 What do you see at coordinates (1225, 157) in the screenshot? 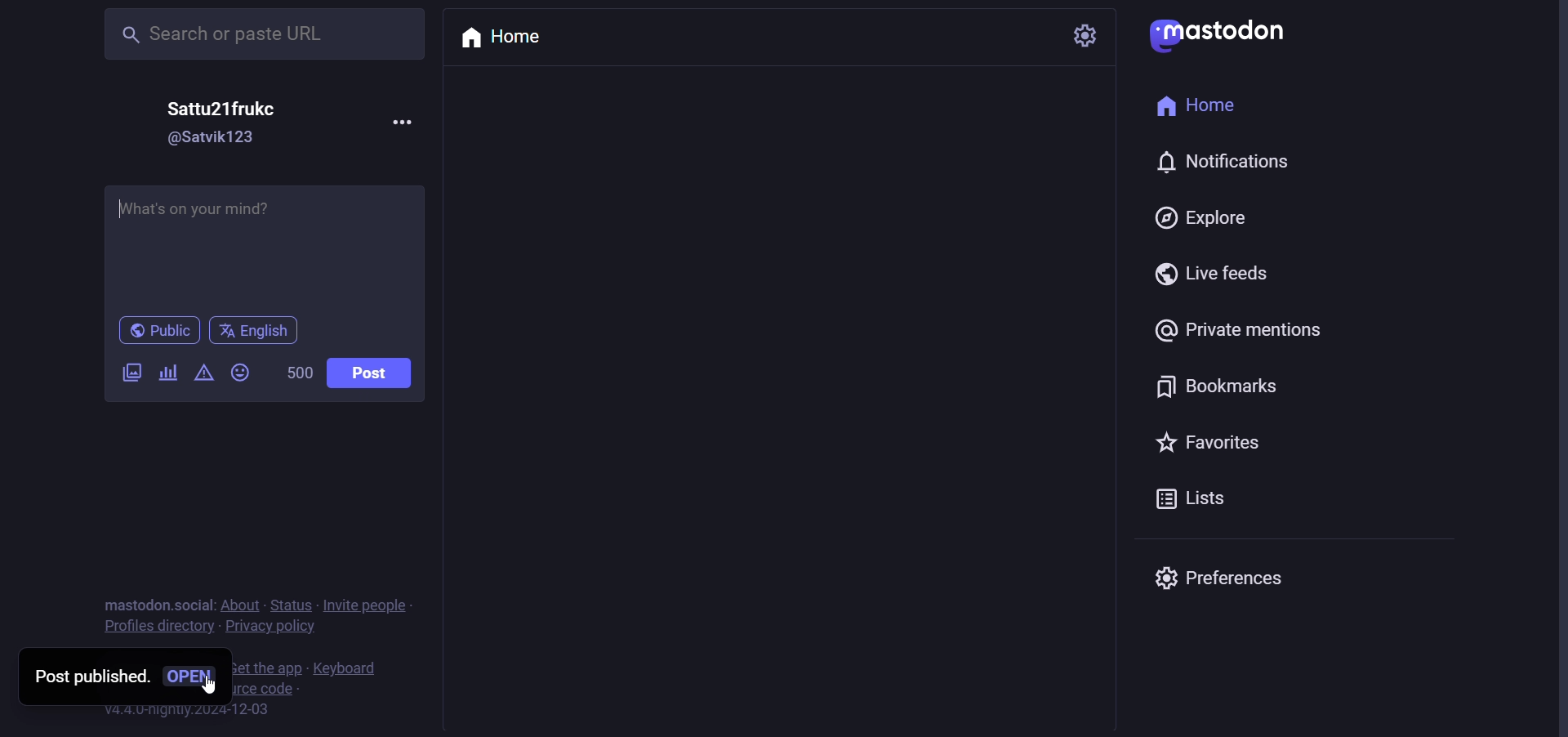
I see `notification` at bounding box center [1225, 157].